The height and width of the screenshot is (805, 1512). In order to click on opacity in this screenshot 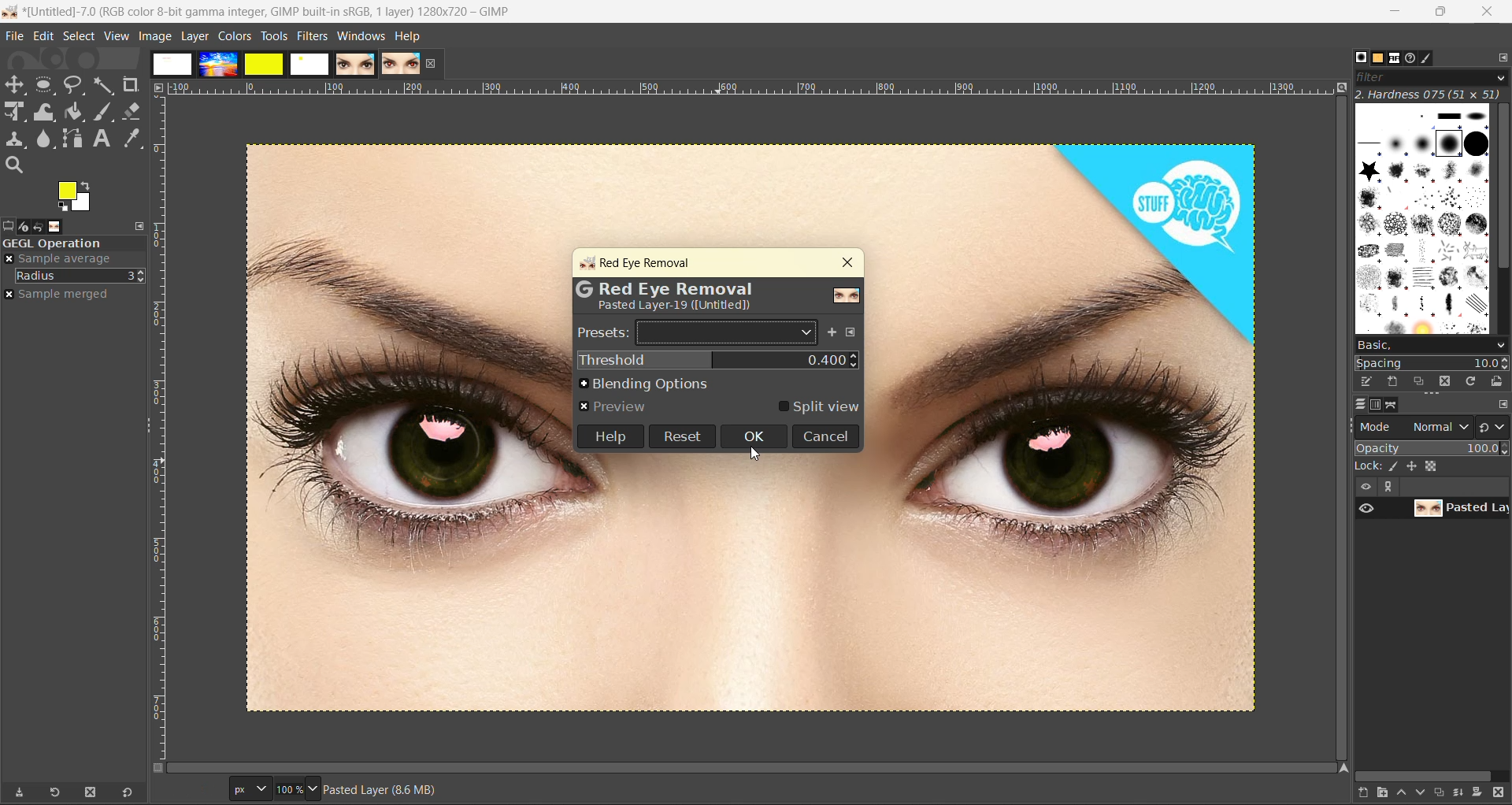, I will do `click(1432, 448)`.